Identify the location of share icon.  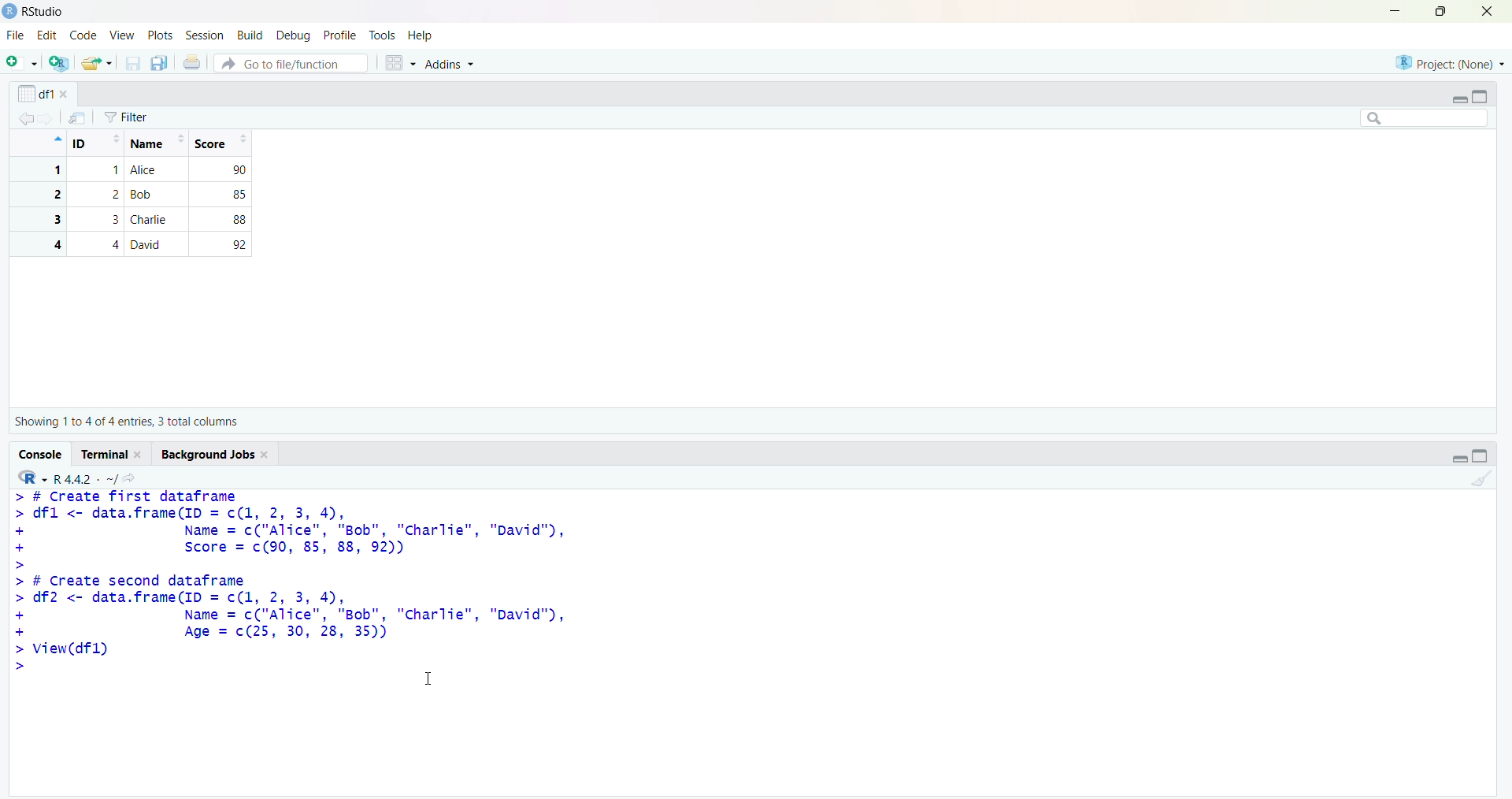
(130, 478).